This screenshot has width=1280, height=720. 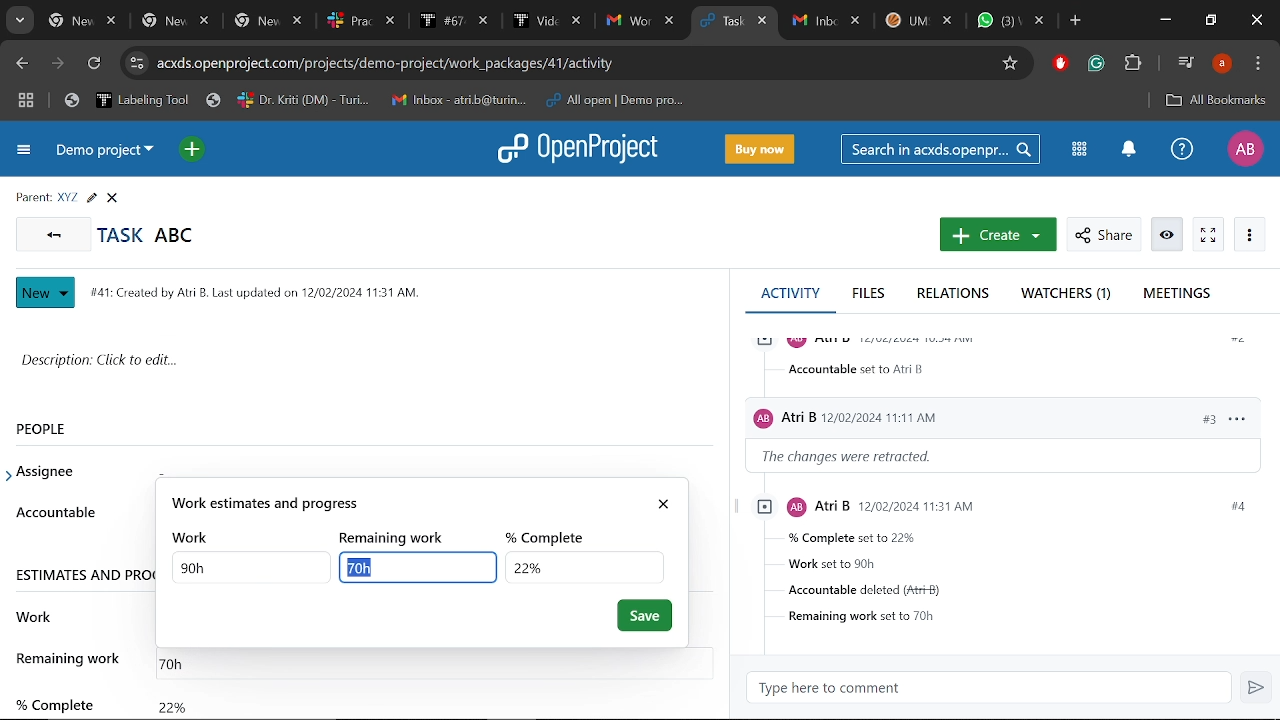 I want to click on % complete, so click(x=552, y=535).